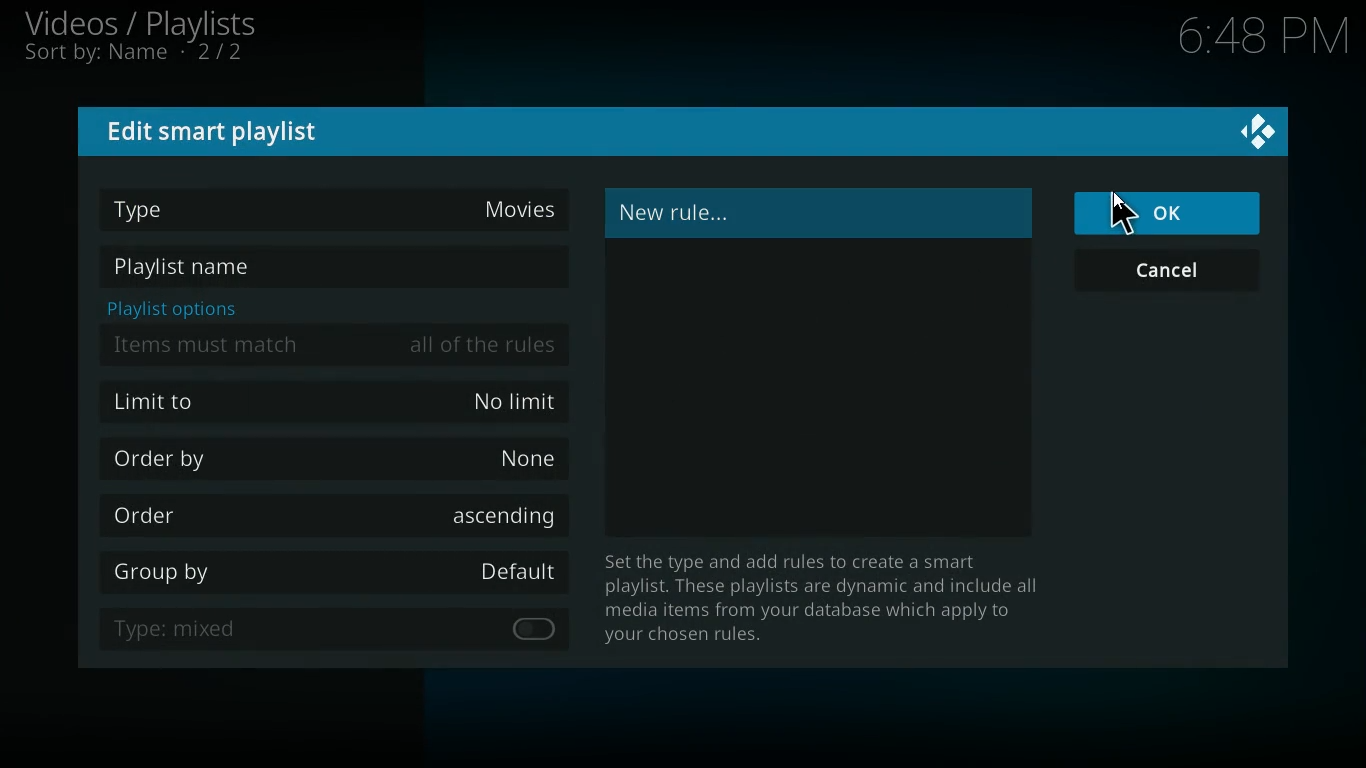  What do you see at coordinates (167, 308) in the screenshot?
I see `options` at bounding box center [167, 308].